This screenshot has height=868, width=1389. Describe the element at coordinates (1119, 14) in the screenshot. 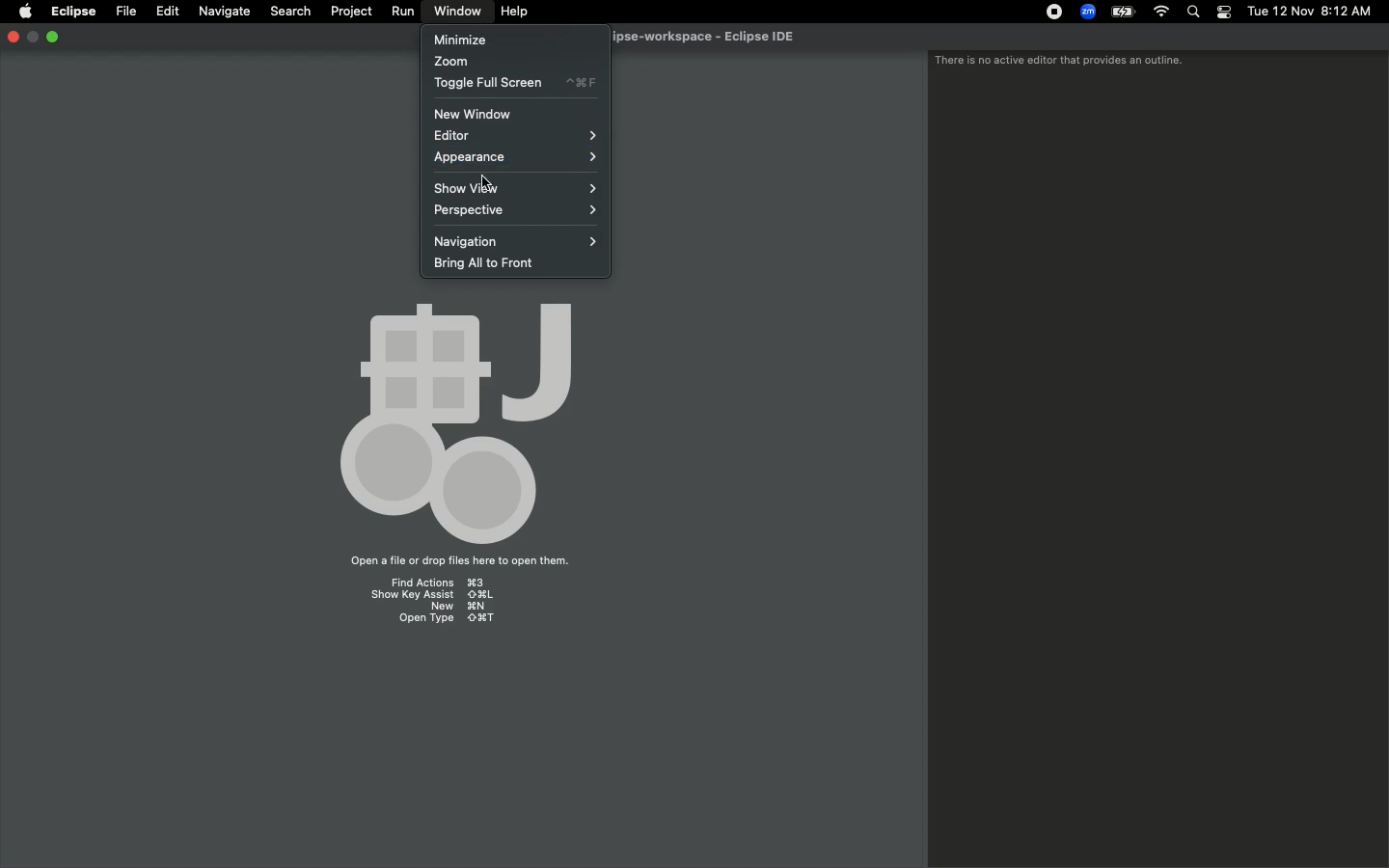

I see `Charge` at that location.